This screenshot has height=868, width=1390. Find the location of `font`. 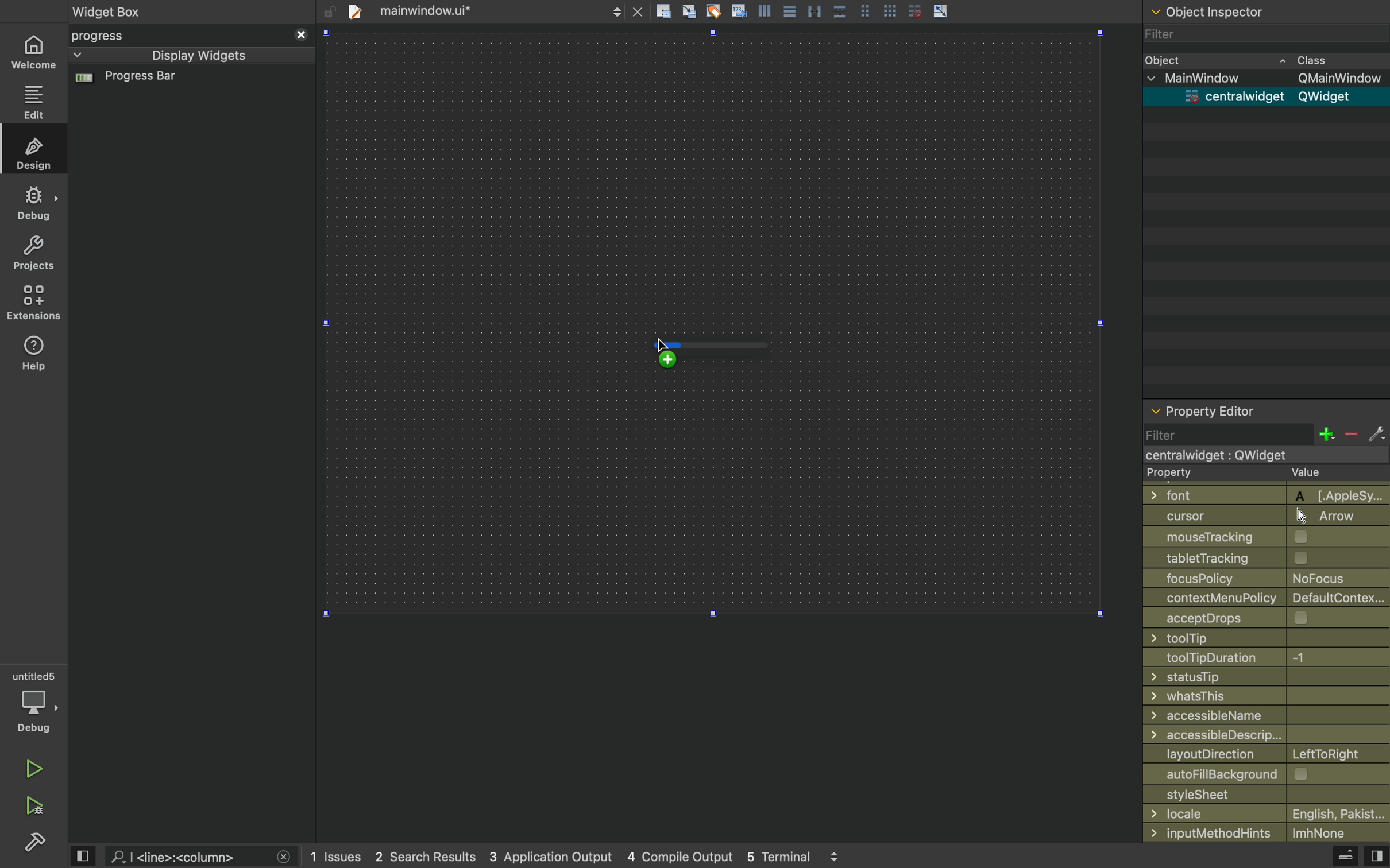

font is located at coordinates (1260, 494).